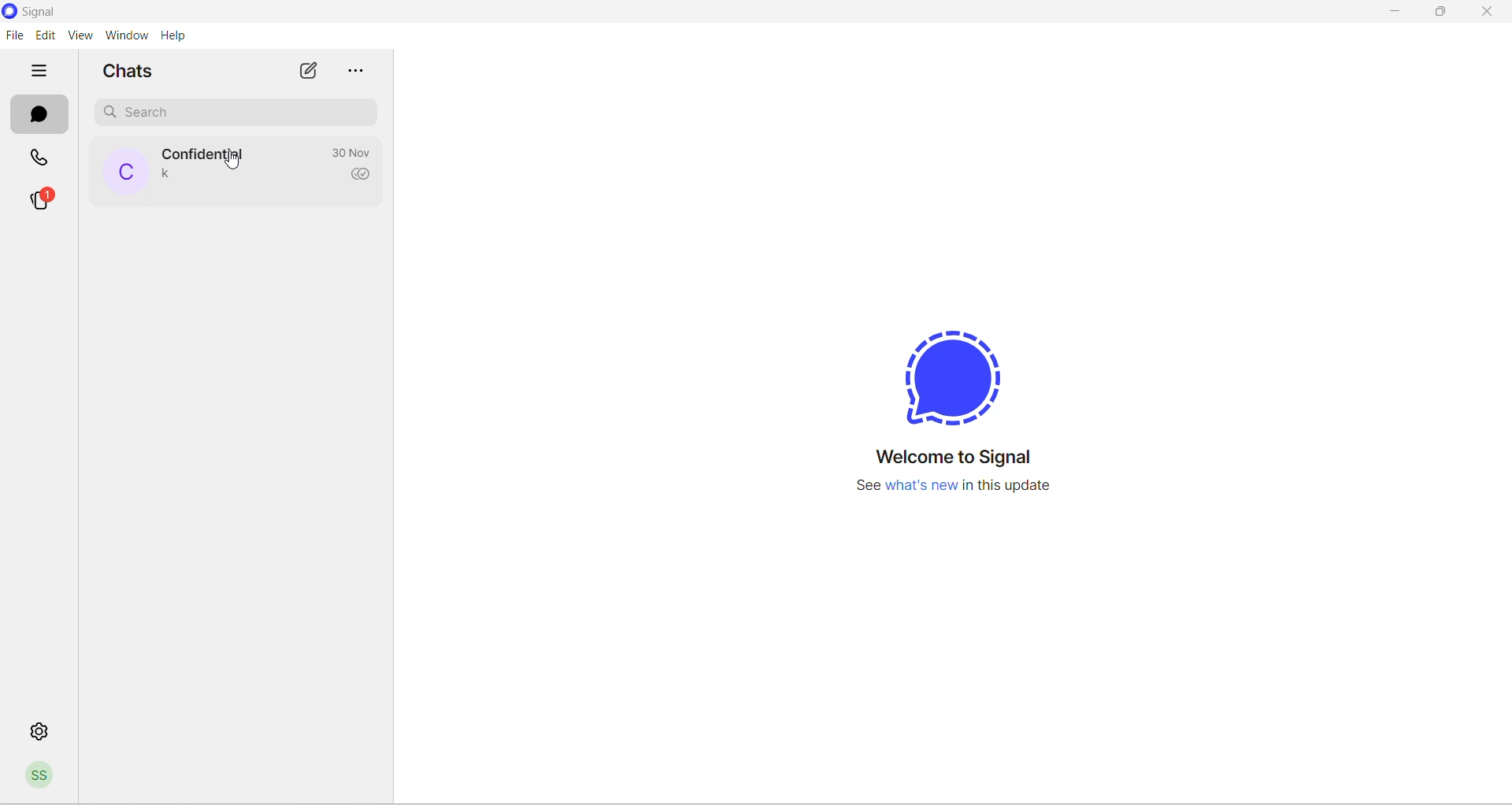  Describe the element at coordinates (360, 67) in the screenshot. I see `more options` at that location.